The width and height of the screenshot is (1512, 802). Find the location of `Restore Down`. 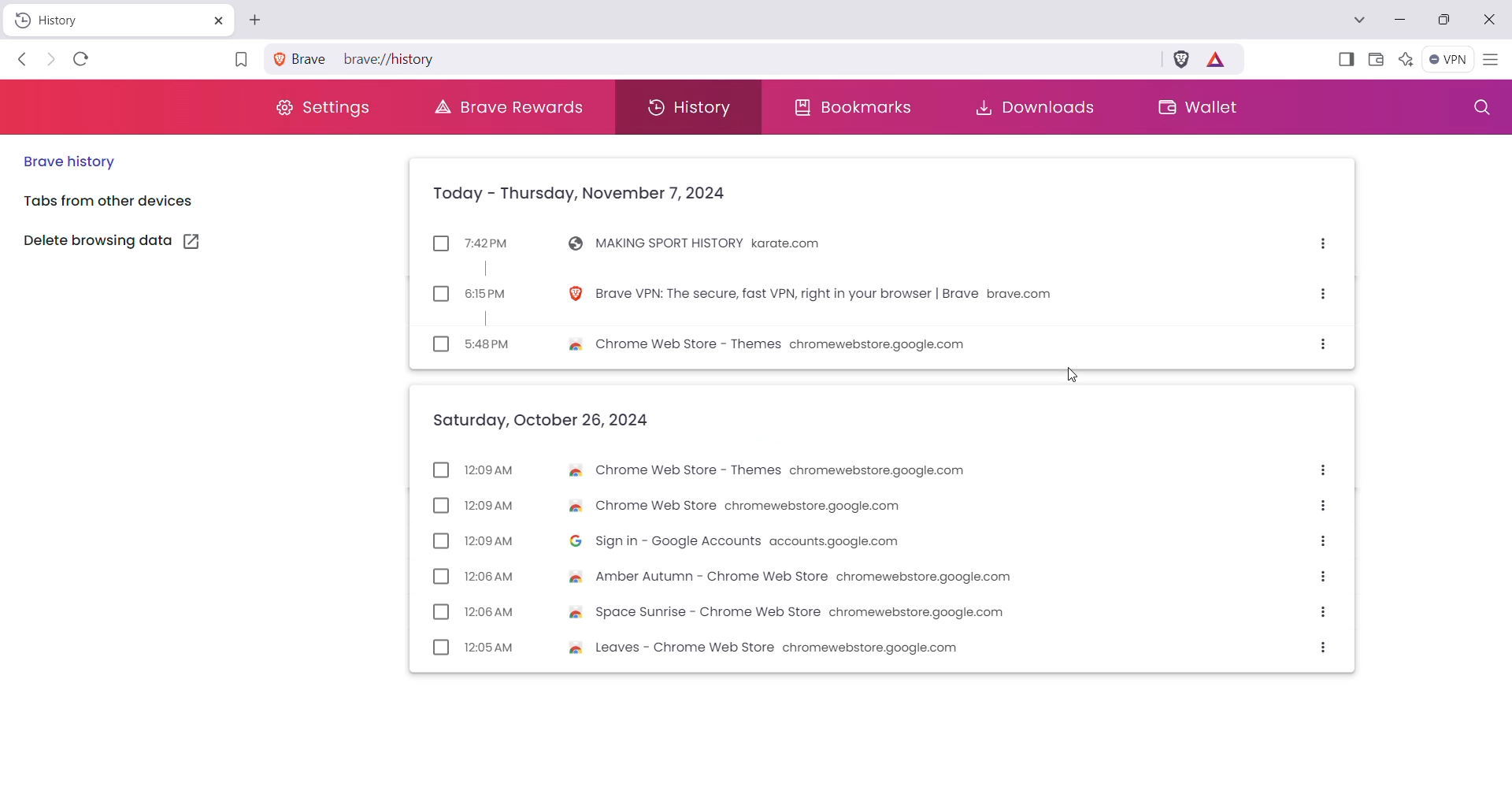

Restore Down is located at coordinates (1443, 21).